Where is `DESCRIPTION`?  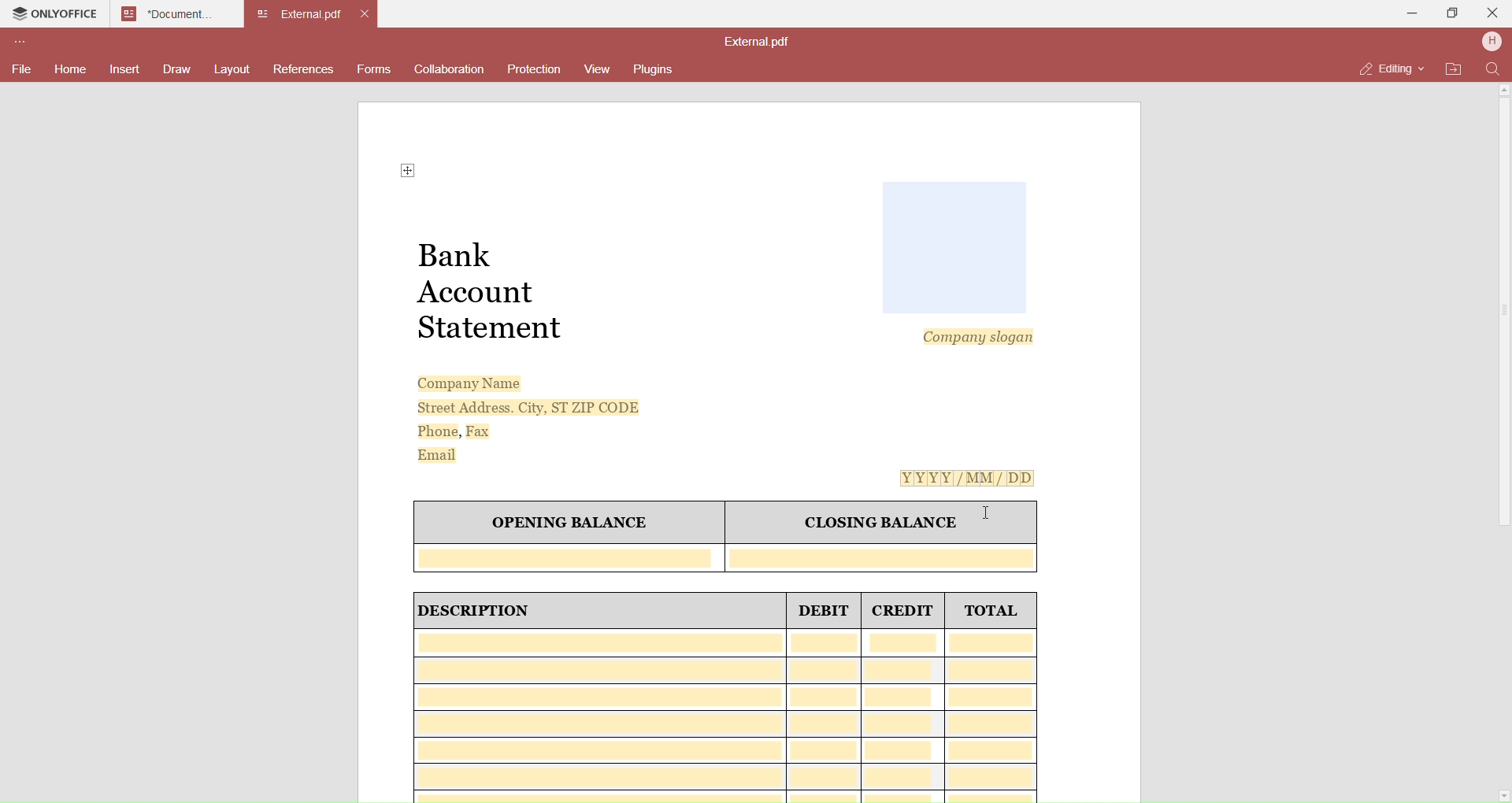 DESCRIPTION is located at coordinates (493, 612).